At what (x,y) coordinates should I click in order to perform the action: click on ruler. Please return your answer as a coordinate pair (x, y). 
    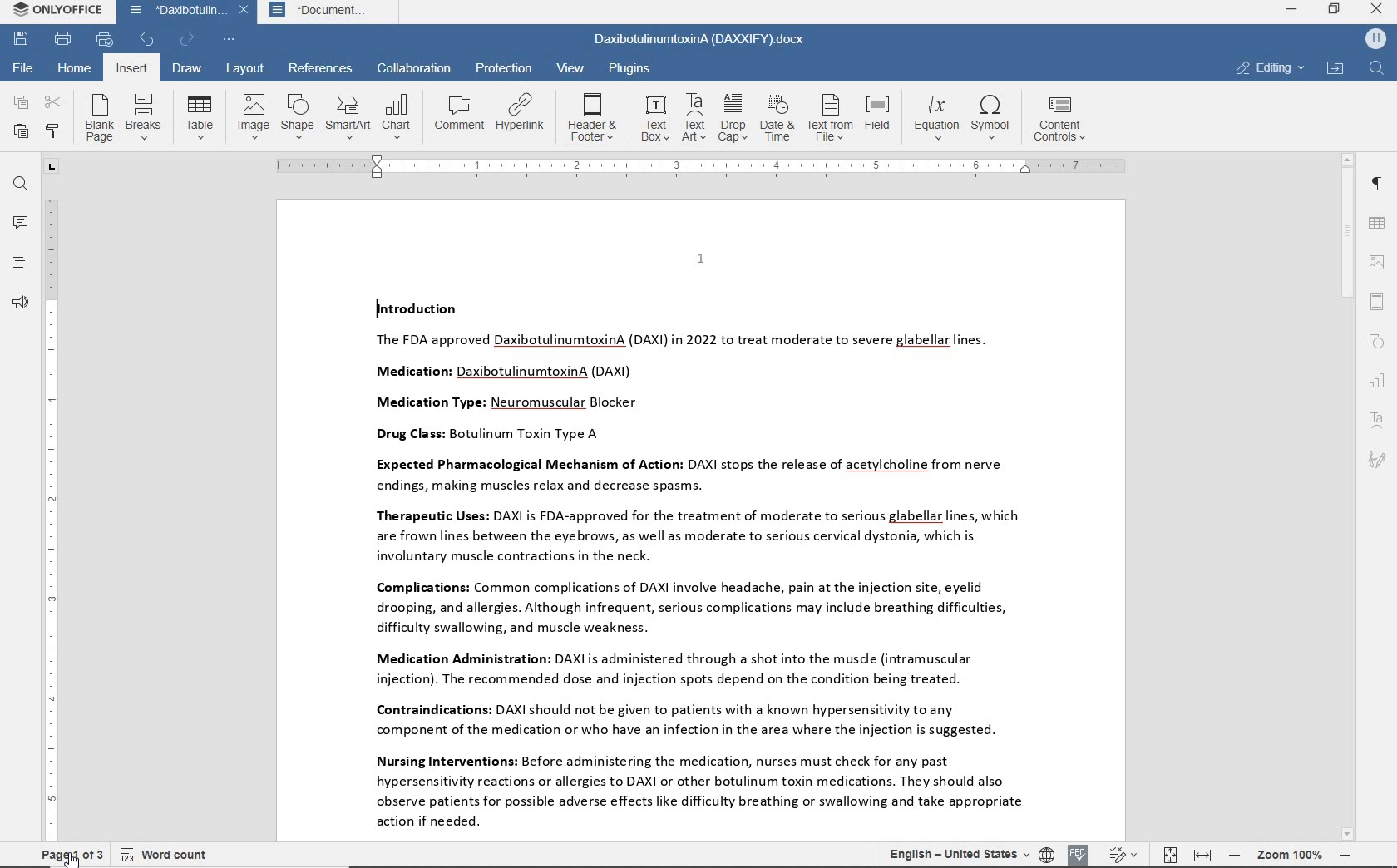
    Looking at the image, I should click on (51, 518).